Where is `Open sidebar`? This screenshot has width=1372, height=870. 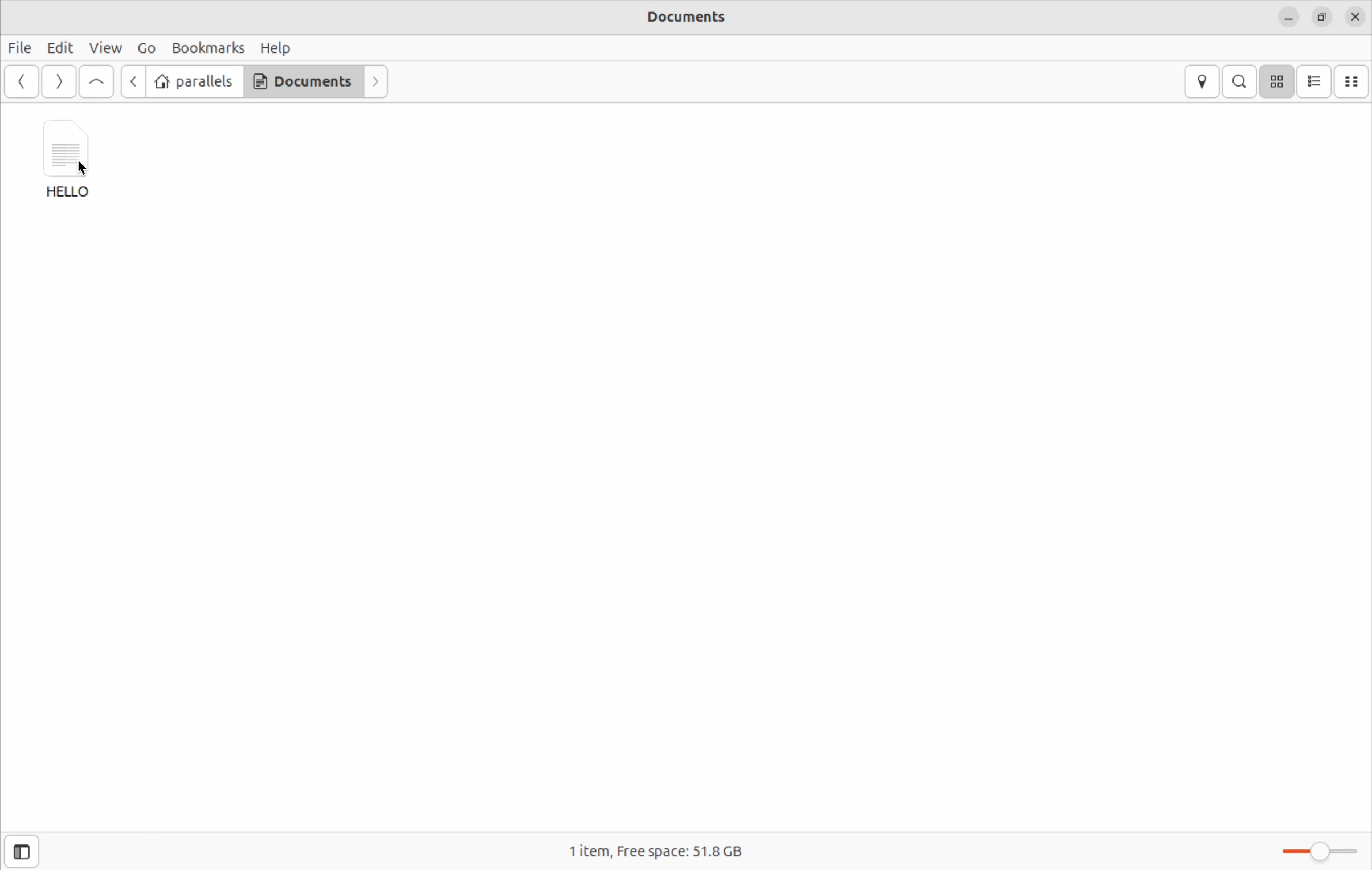 Open sidebar is located at coordinates (27, 851).